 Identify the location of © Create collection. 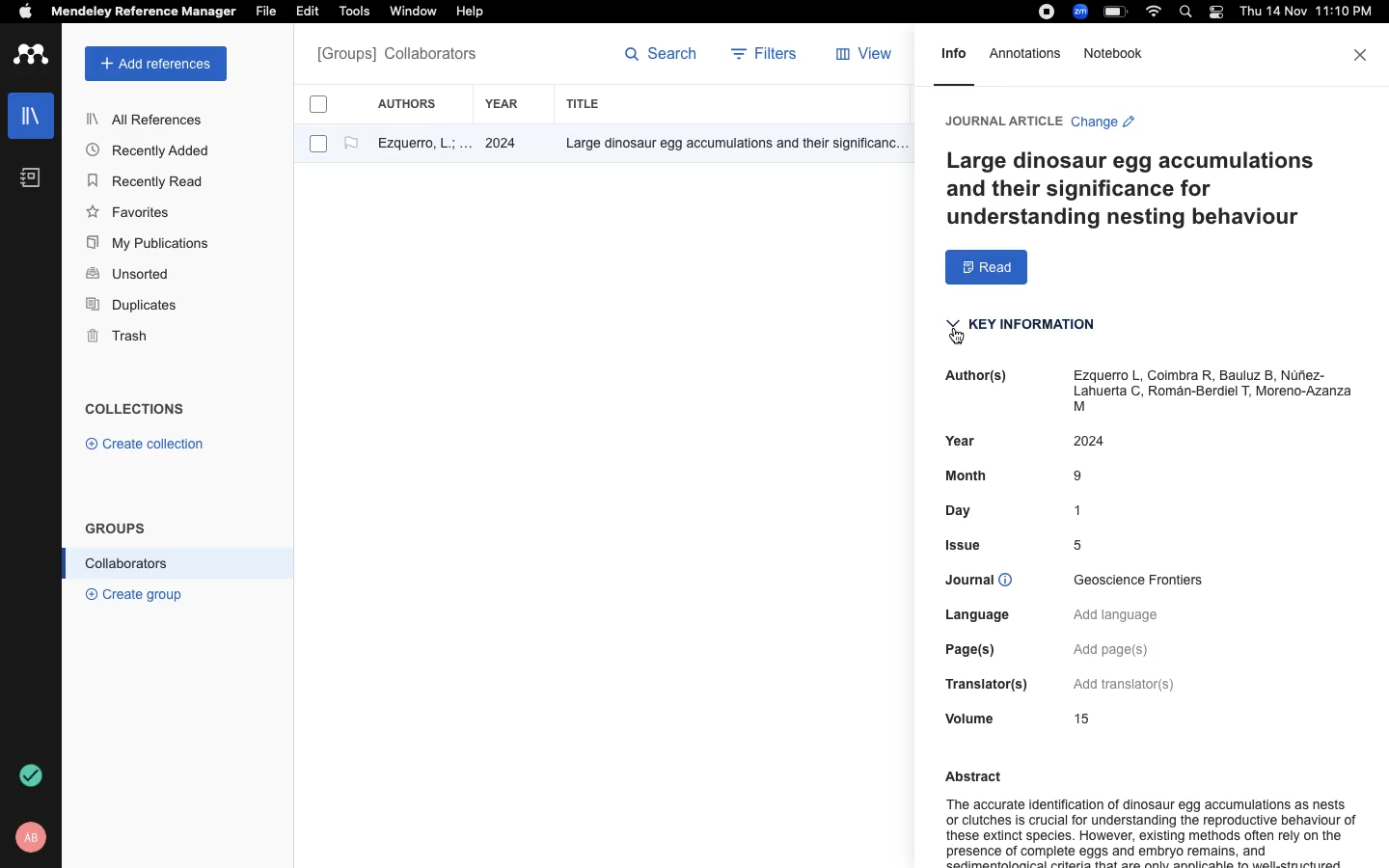
(146, 448).